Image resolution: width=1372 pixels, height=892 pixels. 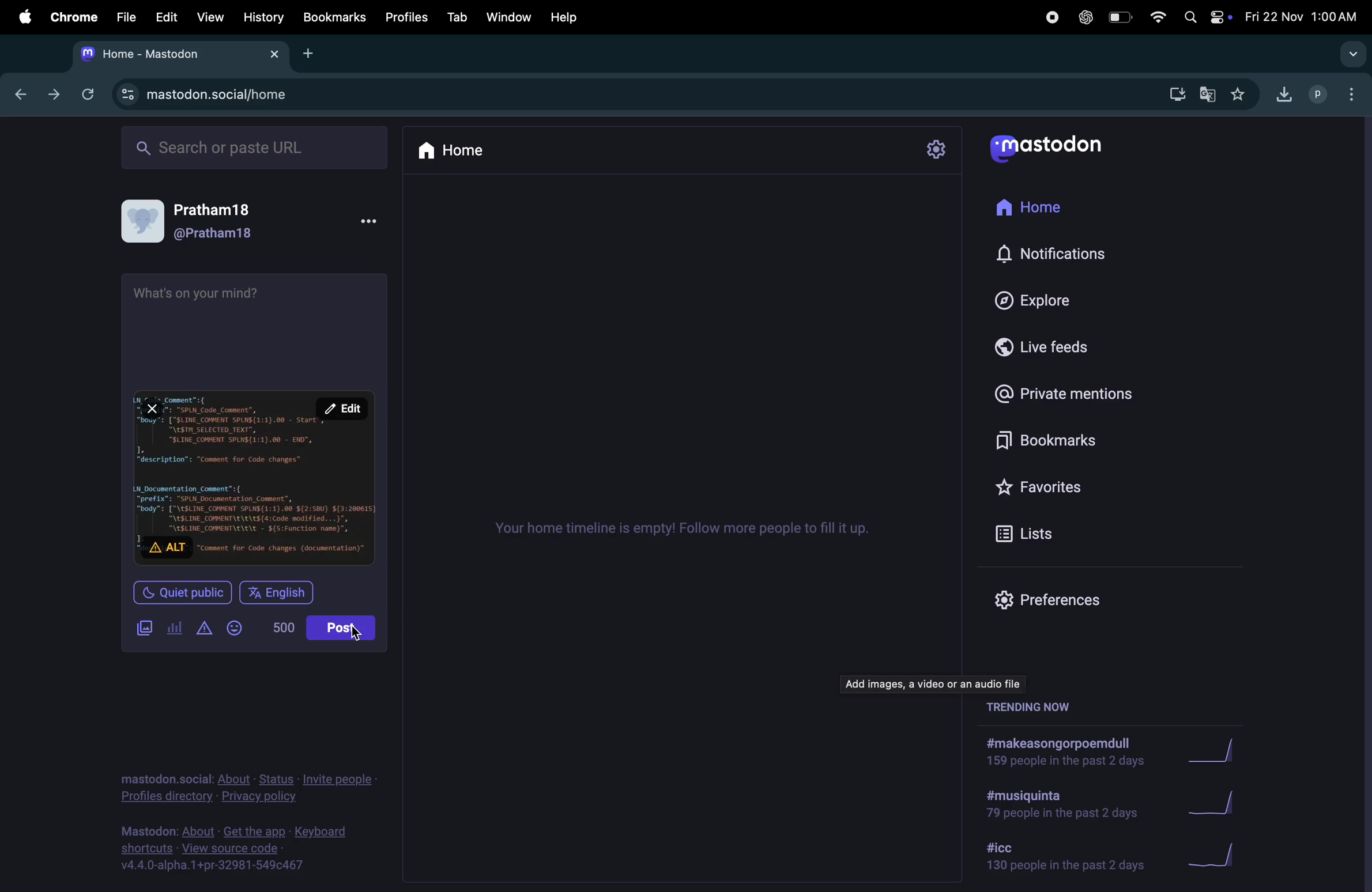 I want to click on settings, so click(x=937, y=149).